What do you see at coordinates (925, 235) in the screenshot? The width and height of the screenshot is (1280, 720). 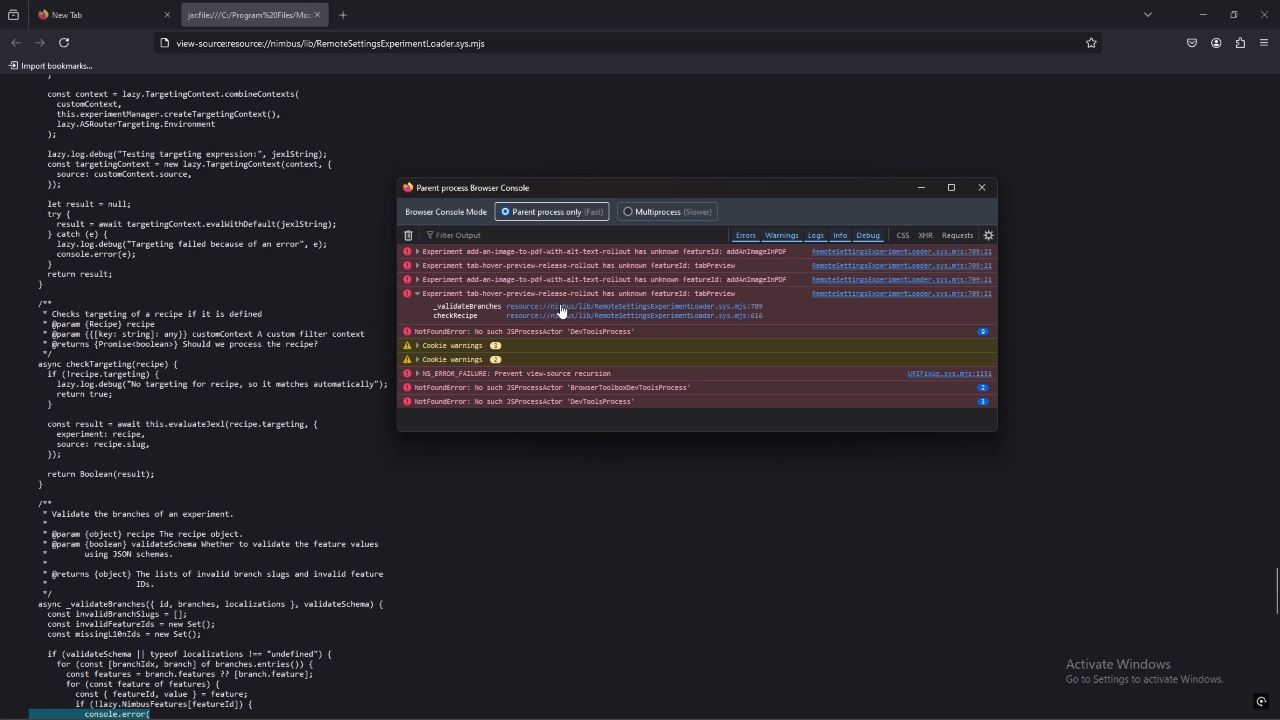 I see `xhr` at bounding box center [925, 235].